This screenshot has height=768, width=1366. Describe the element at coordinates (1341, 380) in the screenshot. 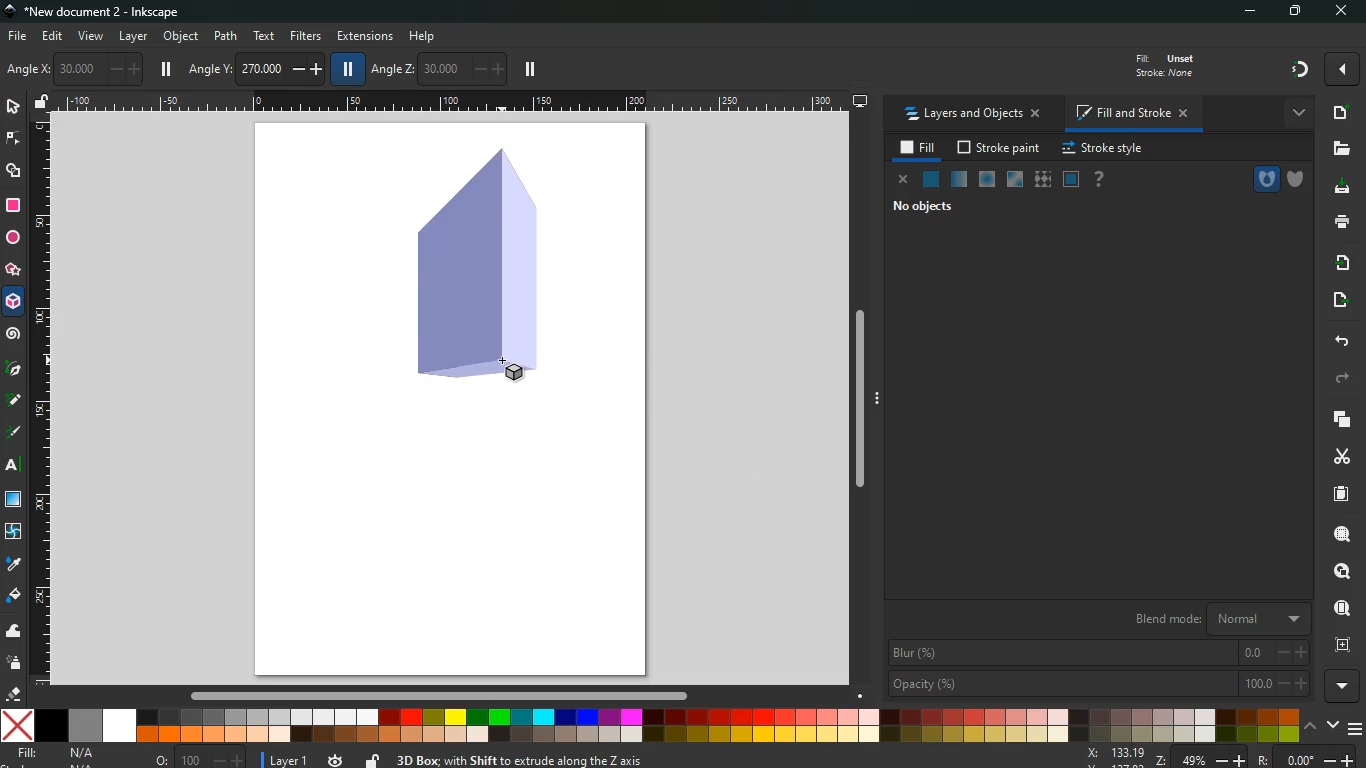

I see `forward` at that location.